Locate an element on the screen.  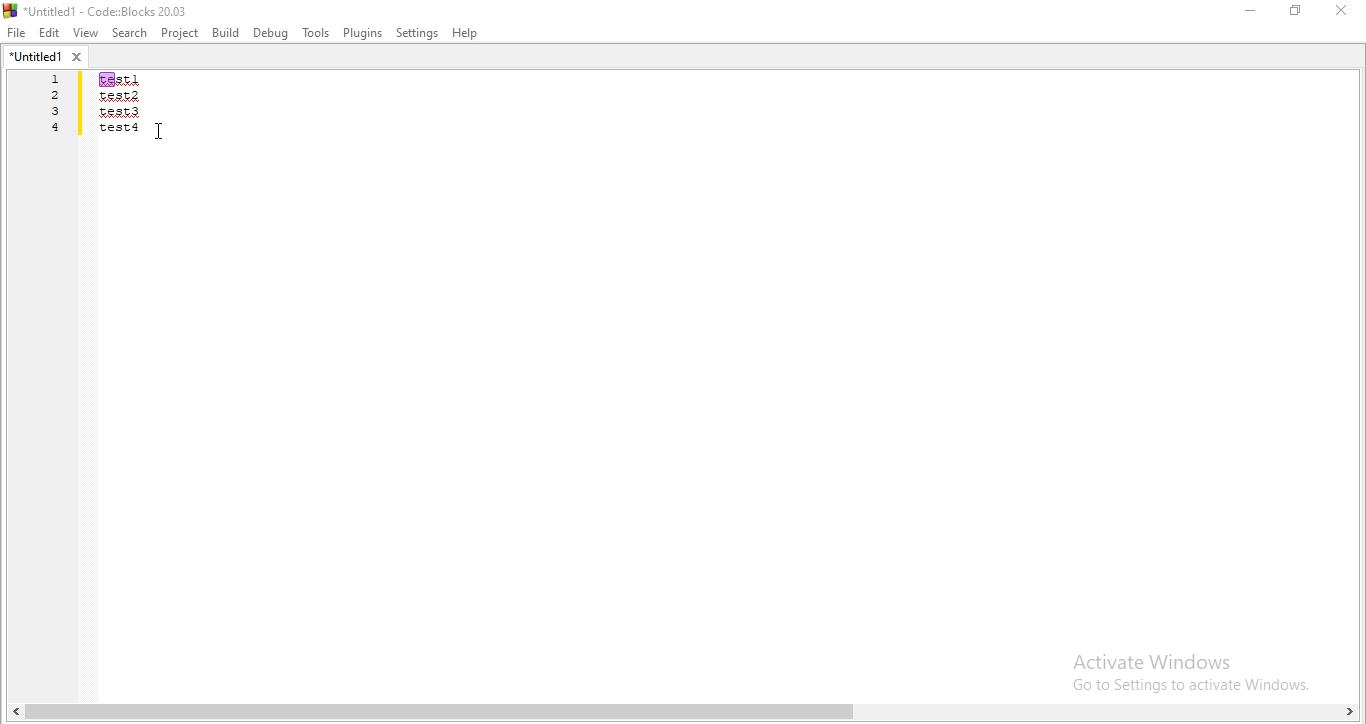
untitled tab is located at coordinates (45, 58).